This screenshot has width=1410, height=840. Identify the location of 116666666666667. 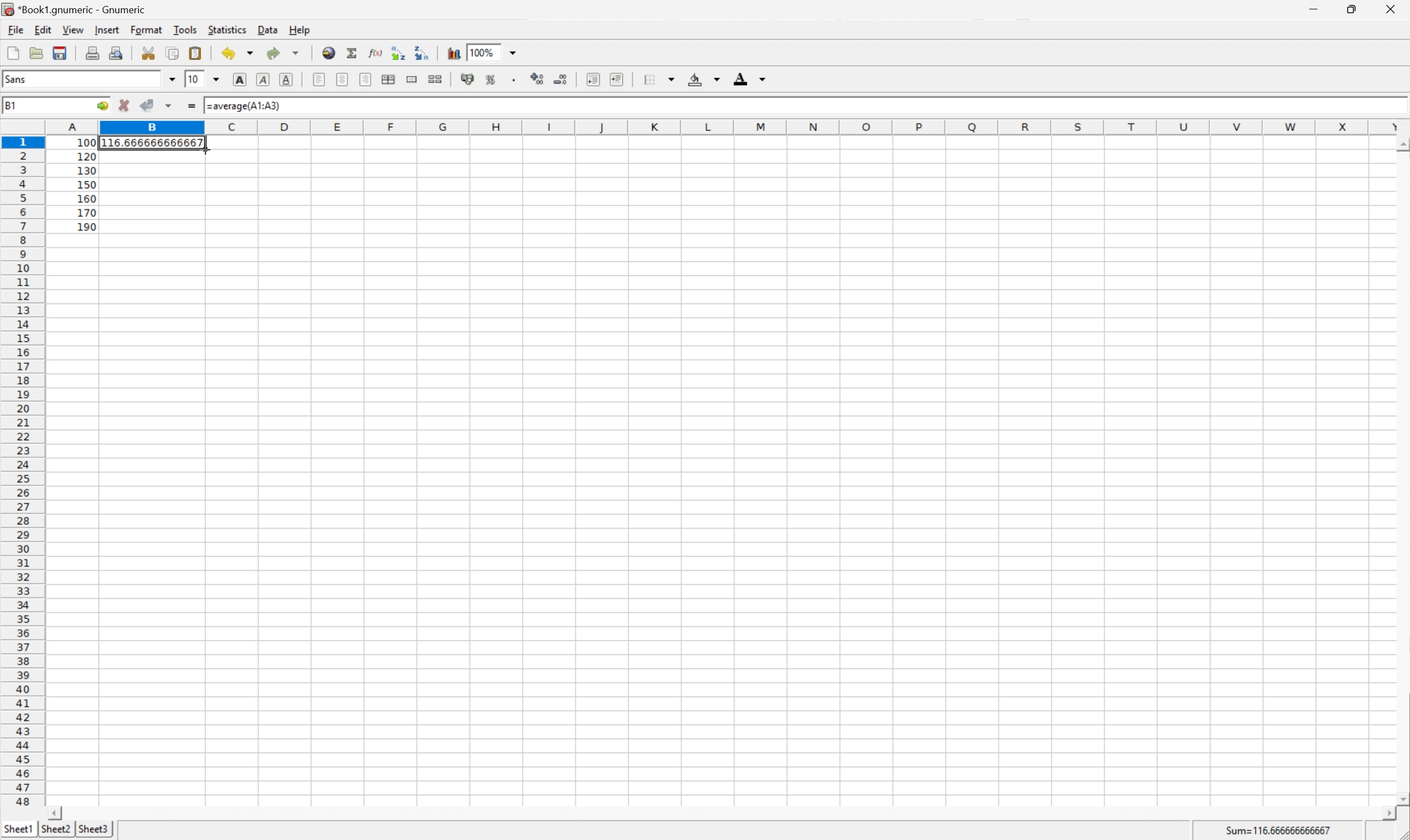
(153, 141).